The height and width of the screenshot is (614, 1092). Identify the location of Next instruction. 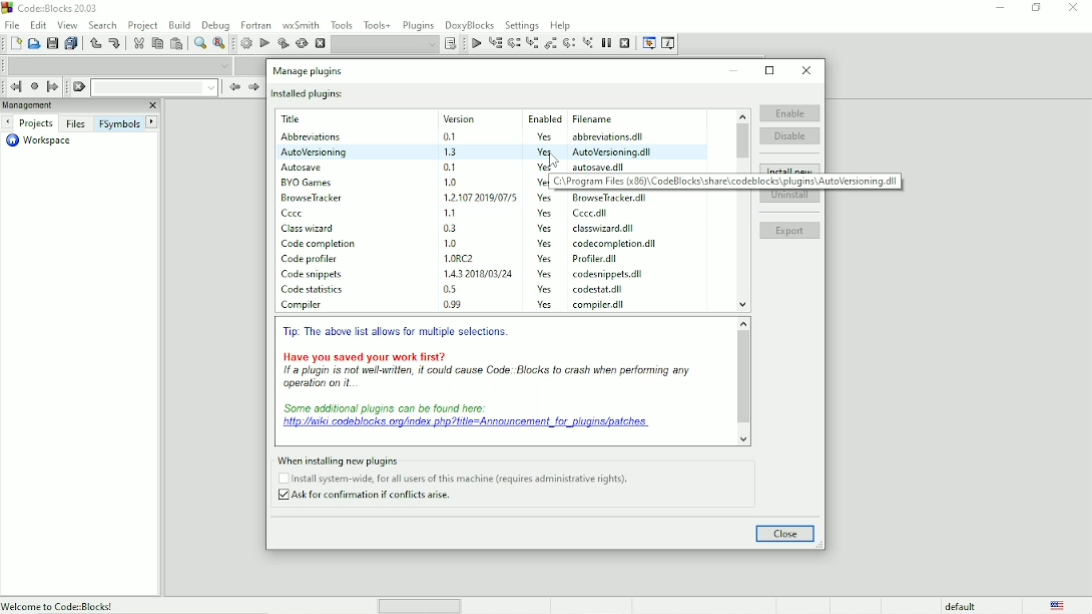
(570, 44).